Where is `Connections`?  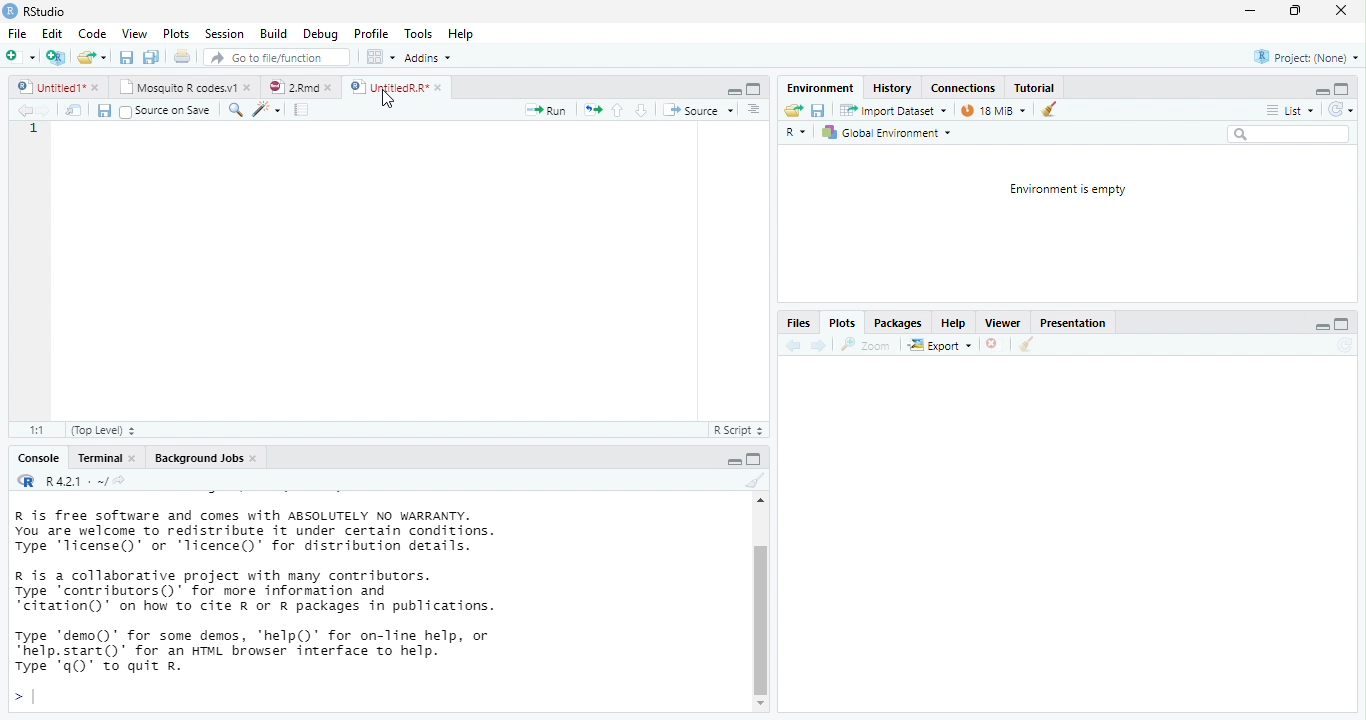 Connections is located at coordinates (962, 88).